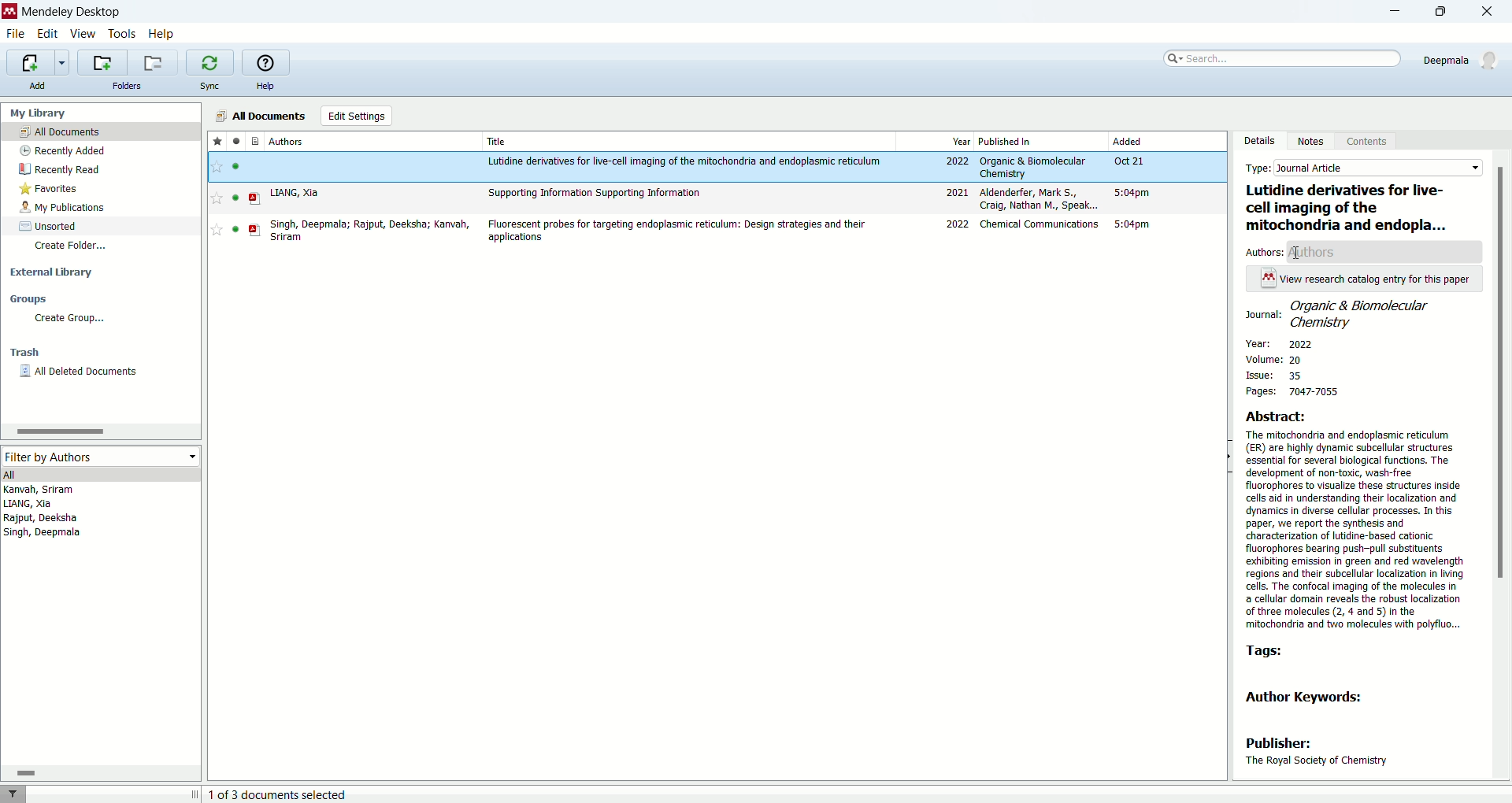 The image size is (1512, 803). What do you see at coordinates (496, 141) in the screenshot?
I see `title` at bounding box center [496, 141].